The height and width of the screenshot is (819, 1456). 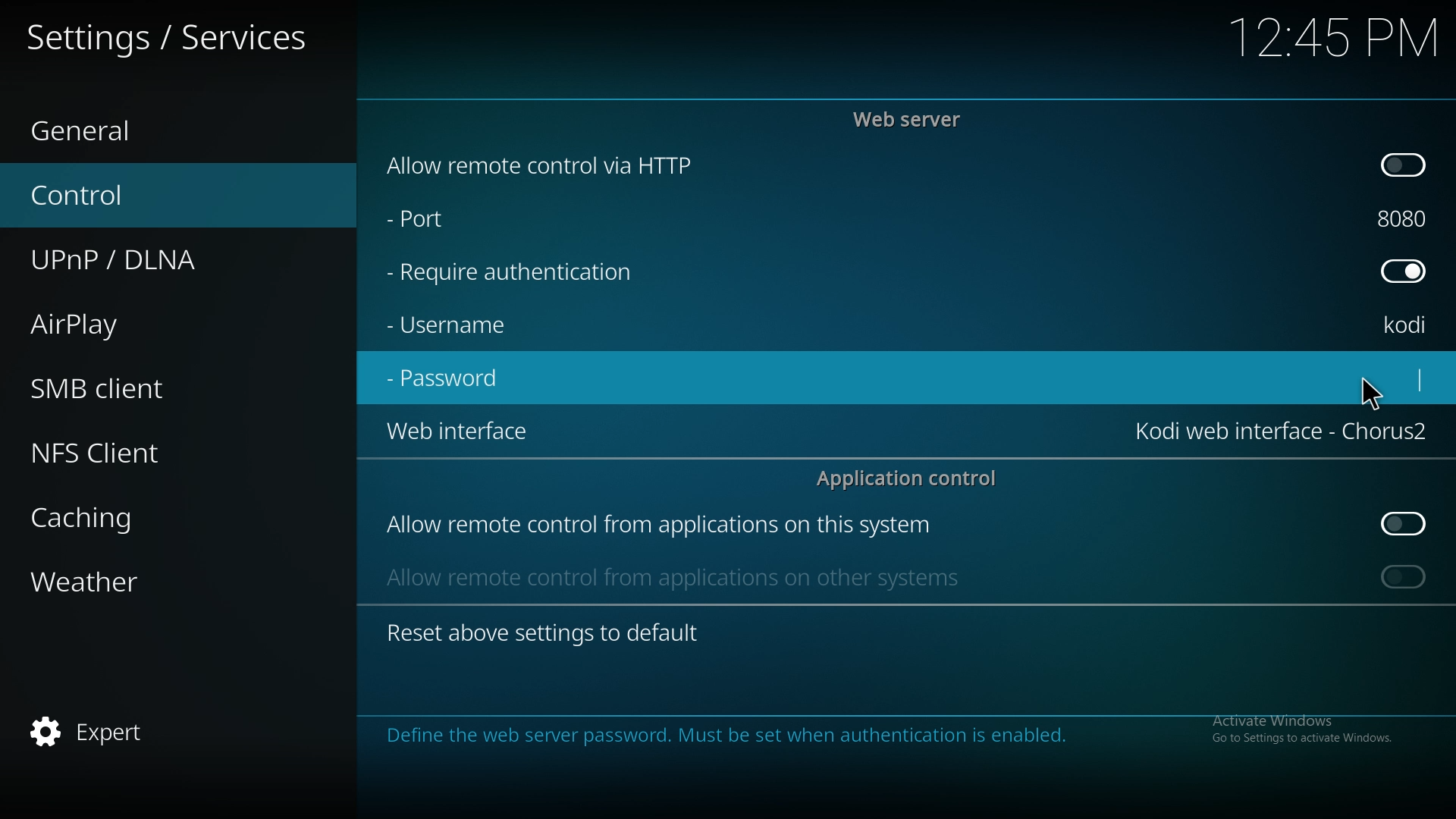 What do you see at coordinates (139, 518) in the screenshot?
I see `caching` at bounding box center [139, 518].